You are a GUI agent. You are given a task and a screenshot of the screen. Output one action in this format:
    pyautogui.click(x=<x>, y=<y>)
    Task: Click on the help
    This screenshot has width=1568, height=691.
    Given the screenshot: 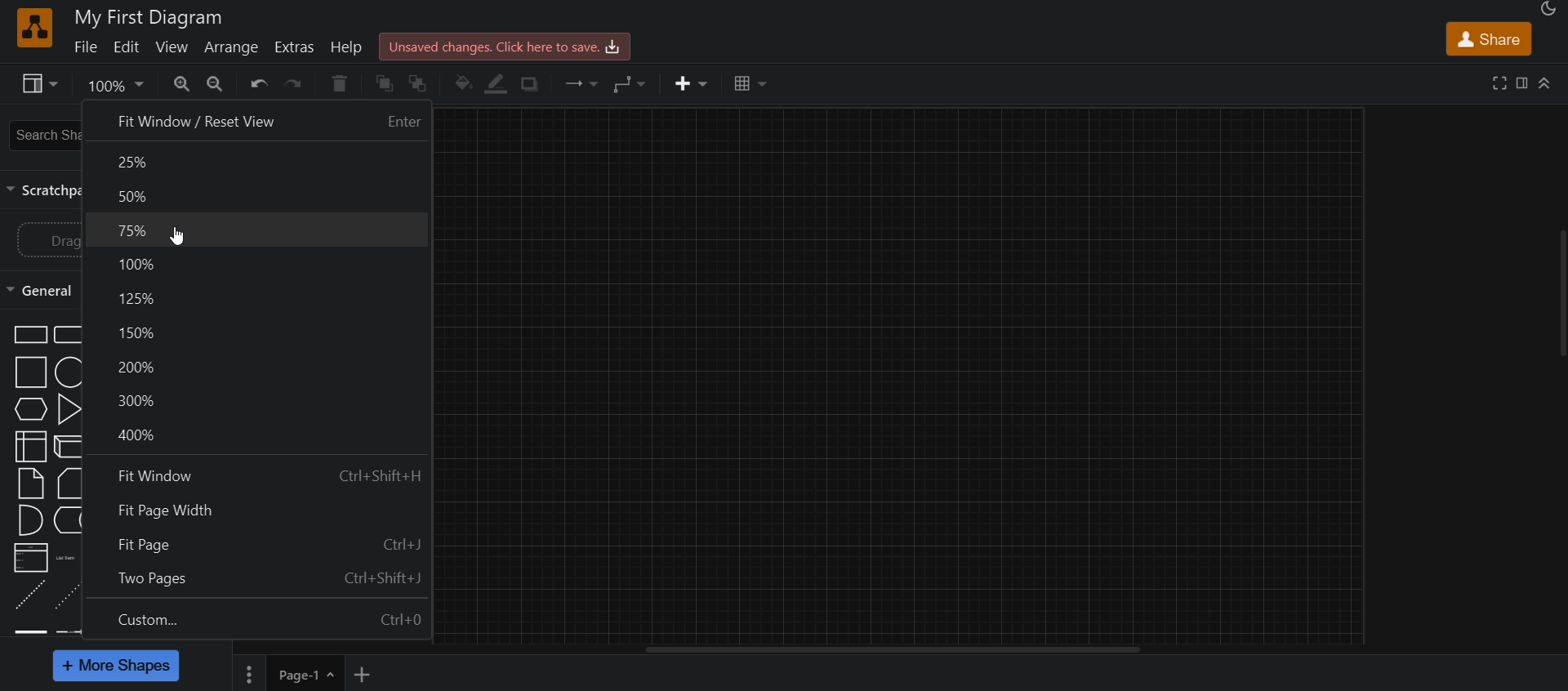 What is the action you would take?
    pyautogui.click(x=349, y=46)
    